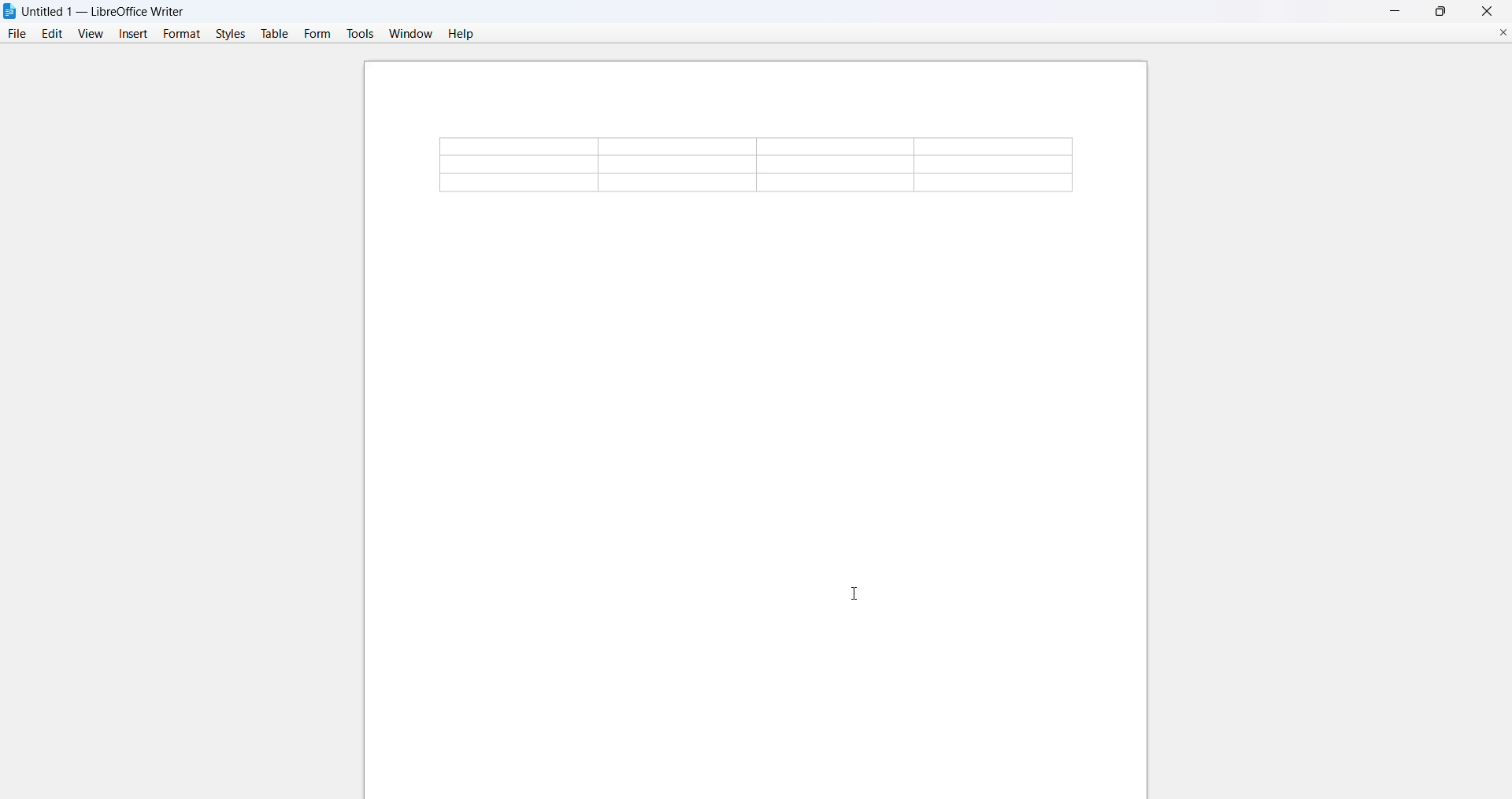 The height and width of the screenshot is (799, 1512). What do you see at coordinates (463, 33) in the screenshot?
I see `help` at bounding box center [463, 33].